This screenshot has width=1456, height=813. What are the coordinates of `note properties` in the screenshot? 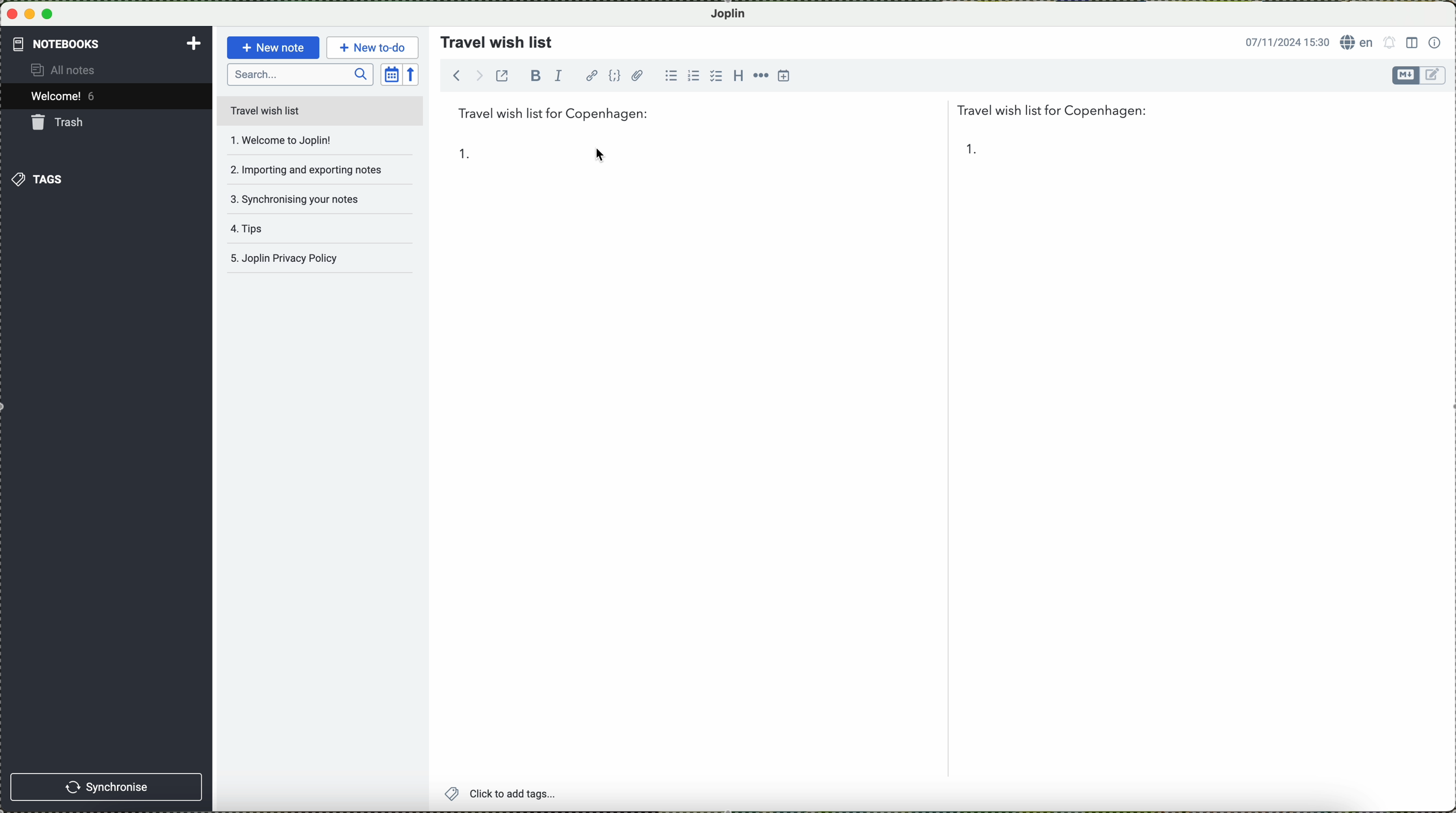 It's located at (1435, 41).